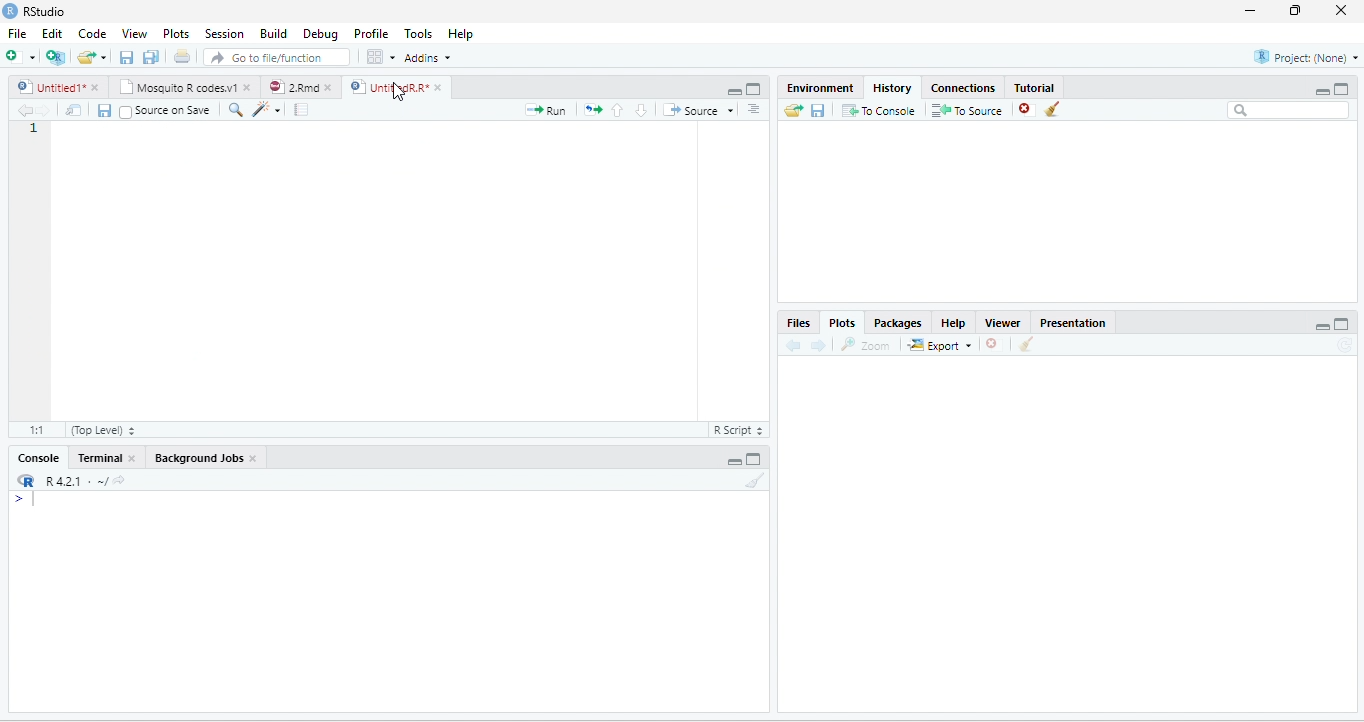 This screenshot has width=1364, height=722. Describe the element at coordinates (131, 458) in the screenshot. I see `close` at that location.